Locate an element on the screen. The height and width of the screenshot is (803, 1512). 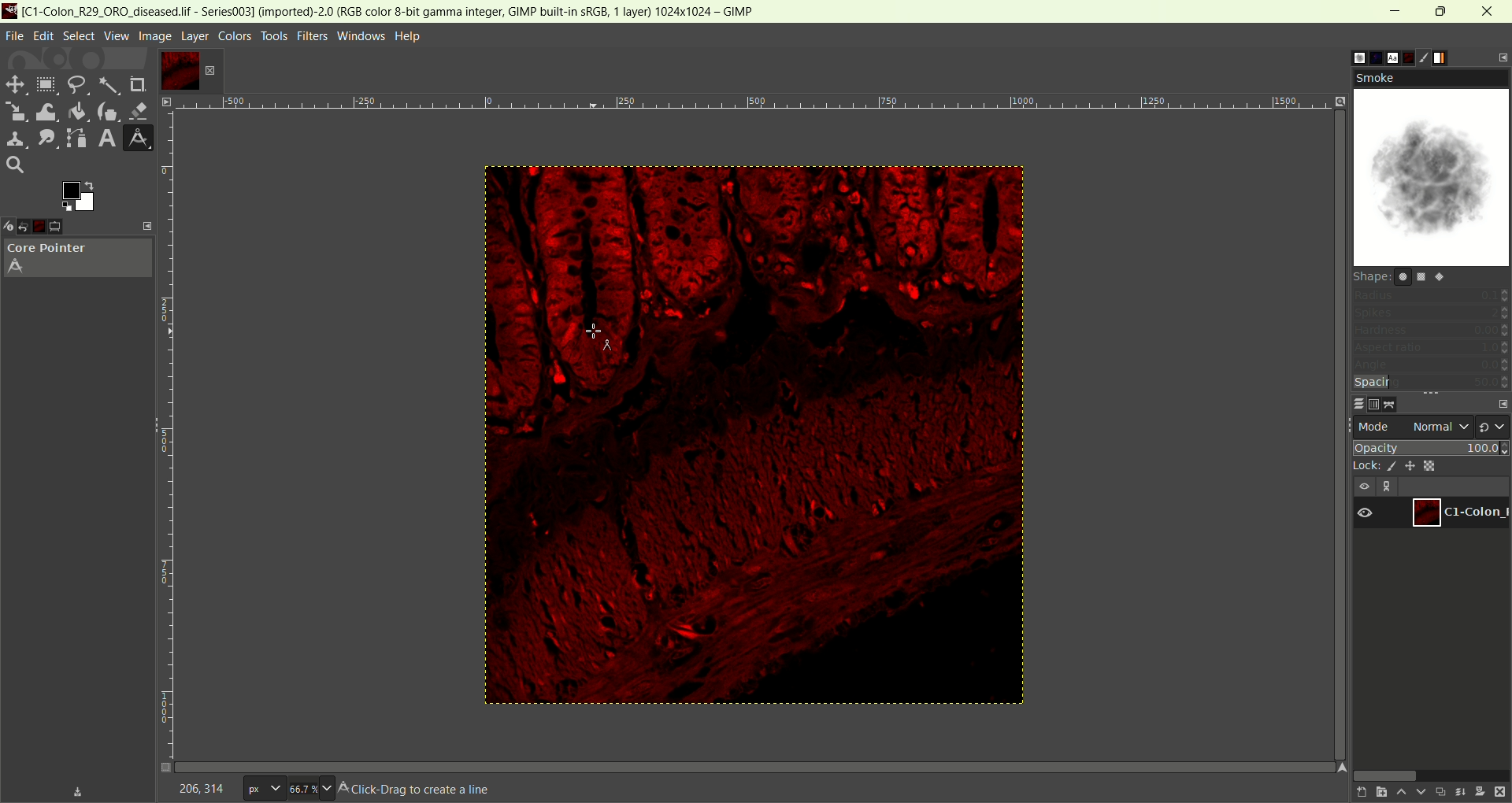
logo is located at coordinates (10, 10).